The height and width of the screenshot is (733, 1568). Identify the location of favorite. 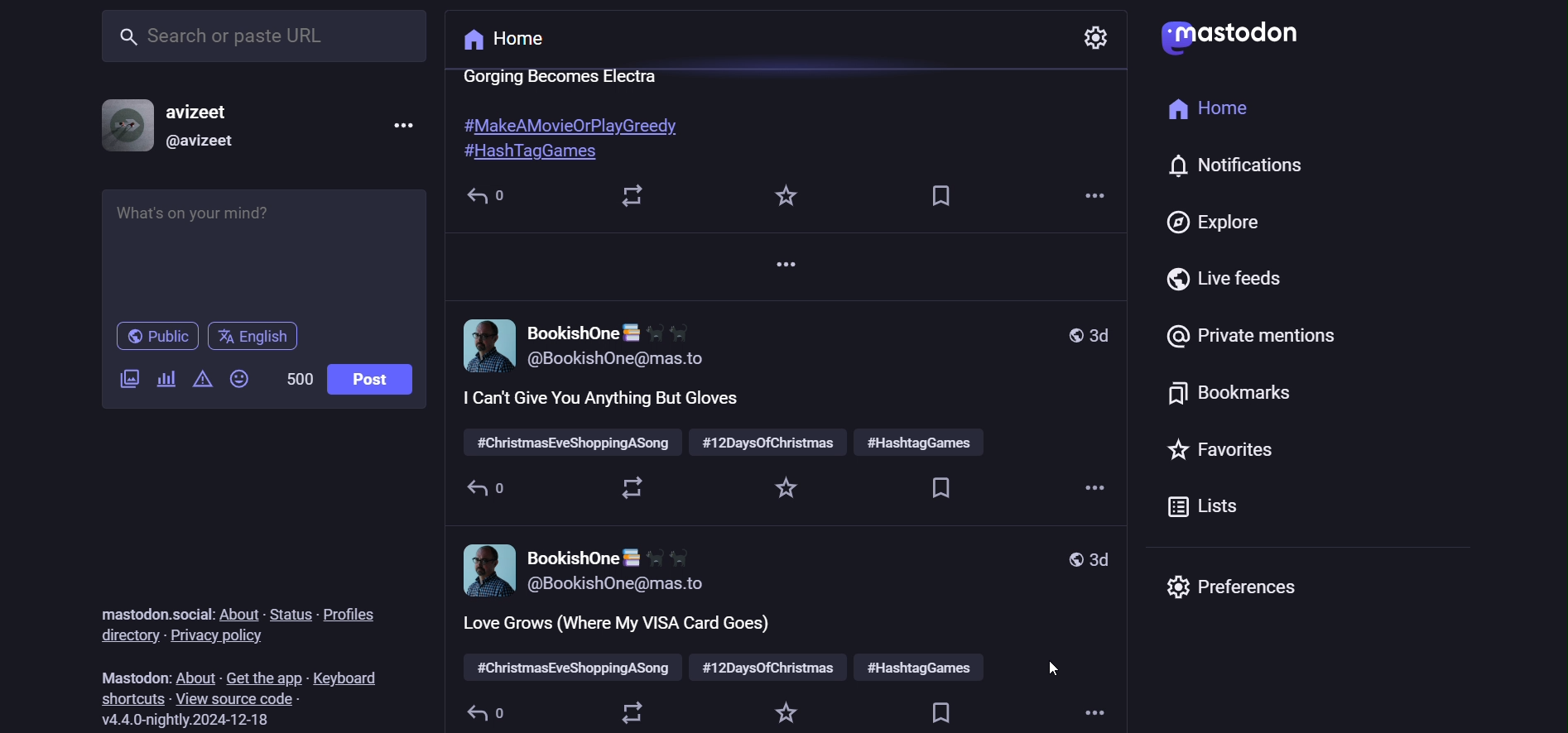
(782, 714).